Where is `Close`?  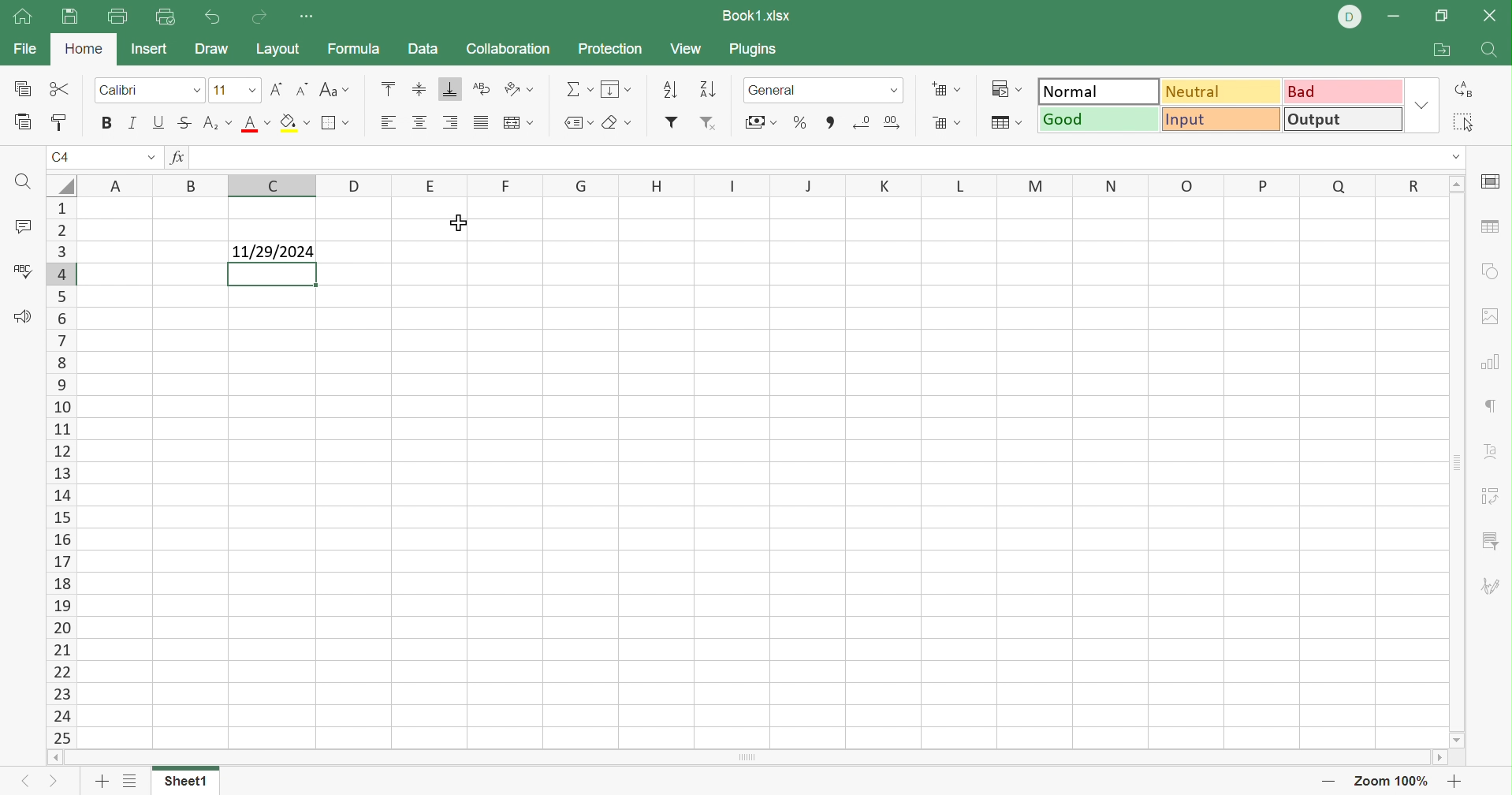 Close is located at coordinates (1492, 19).